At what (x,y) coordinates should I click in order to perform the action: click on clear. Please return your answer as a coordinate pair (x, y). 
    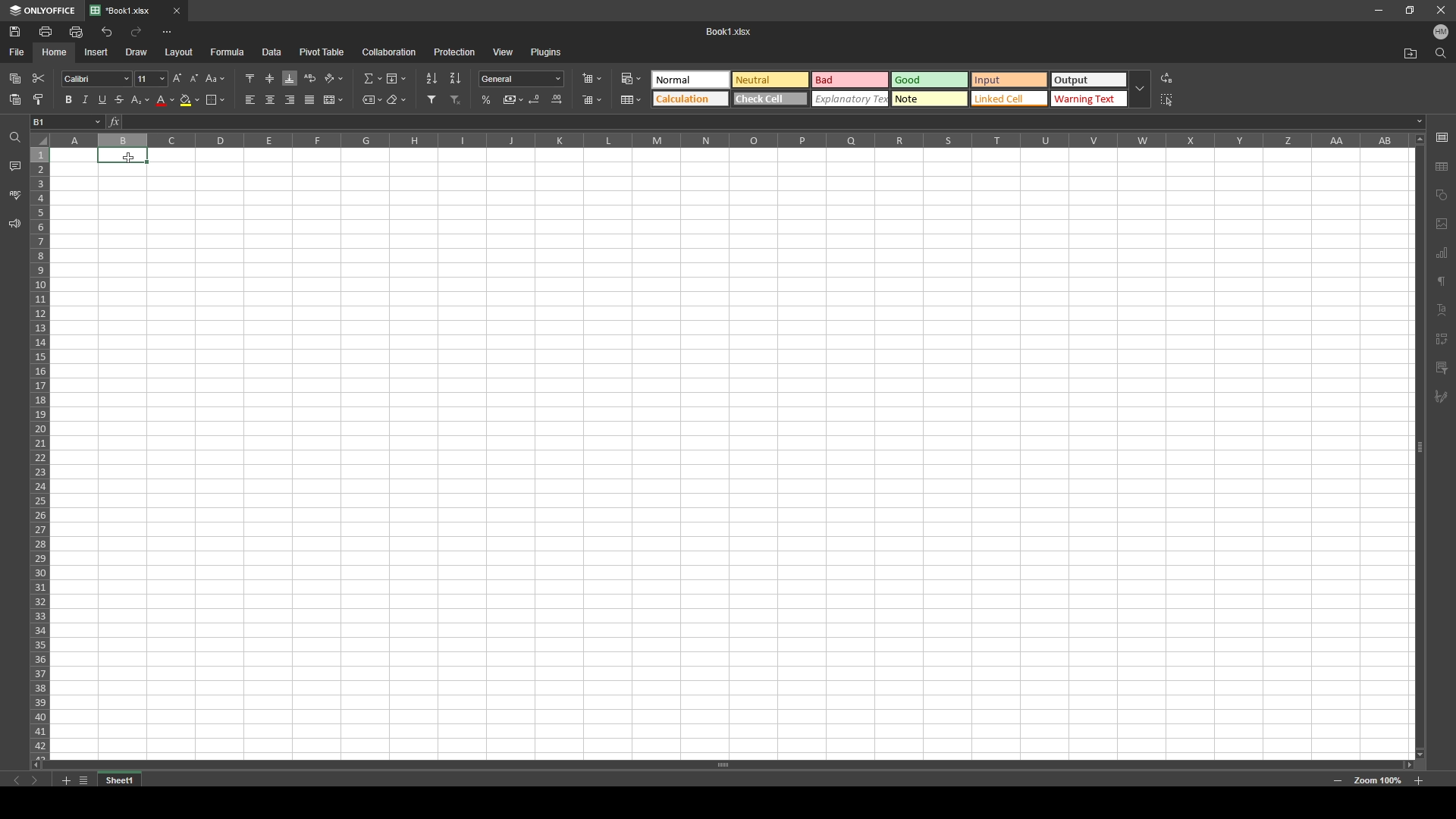
    Looking at the image, I should click on (396, 99).